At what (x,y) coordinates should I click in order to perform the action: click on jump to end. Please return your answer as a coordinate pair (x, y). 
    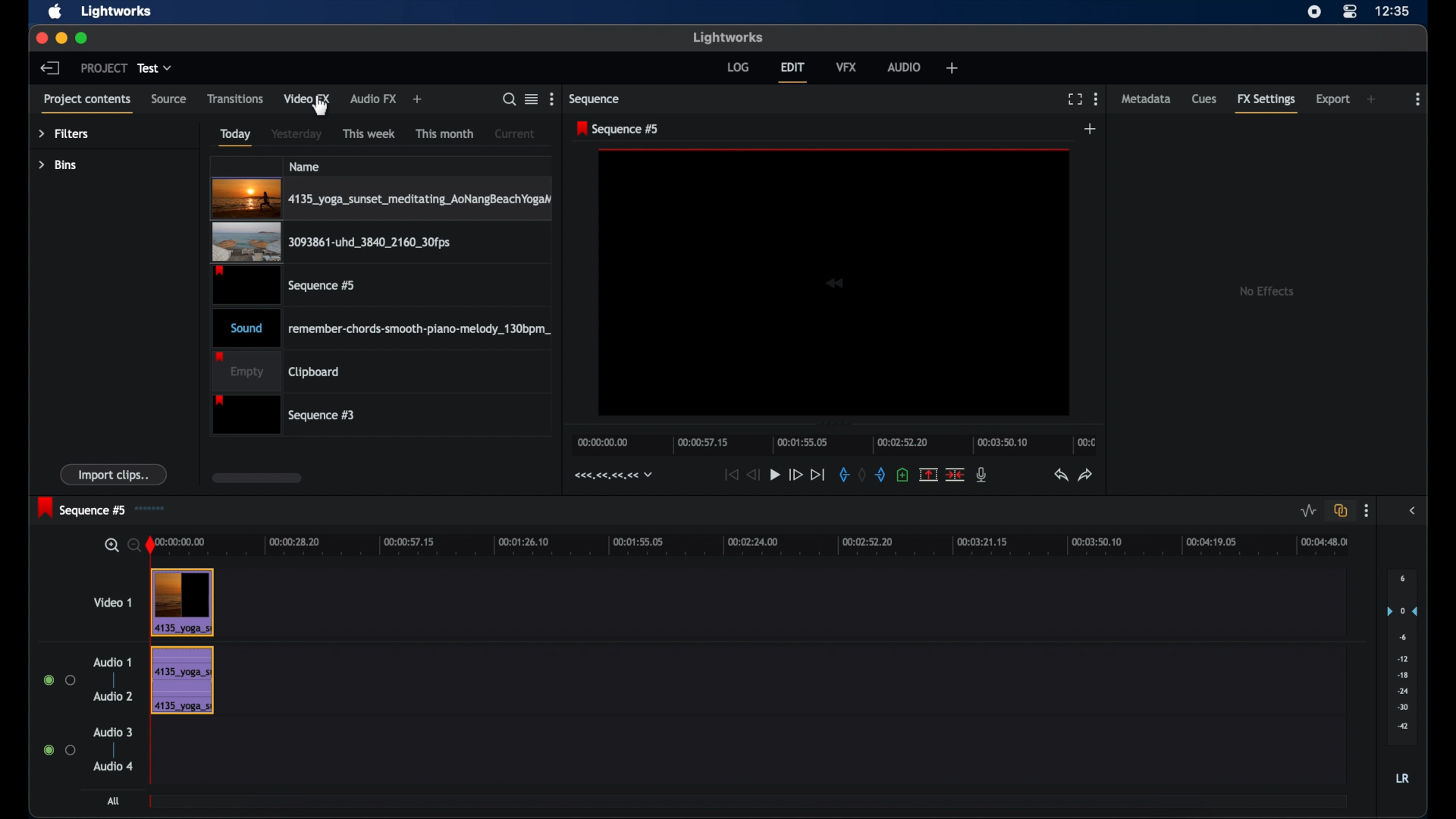
    Looking at the image, I should click on (817, 474).